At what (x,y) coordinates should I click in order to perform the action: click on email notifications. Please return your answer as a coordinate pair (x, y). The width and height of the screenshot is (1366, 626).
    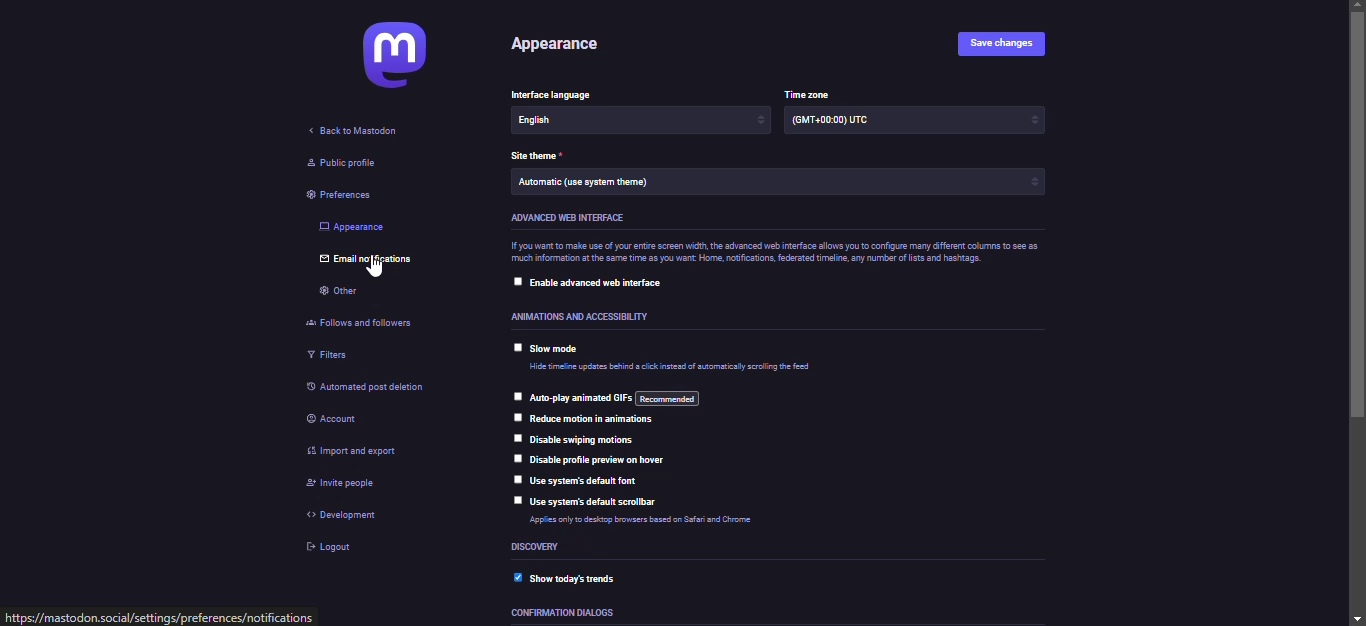
    Looking at the image, I should click on (372, 260).